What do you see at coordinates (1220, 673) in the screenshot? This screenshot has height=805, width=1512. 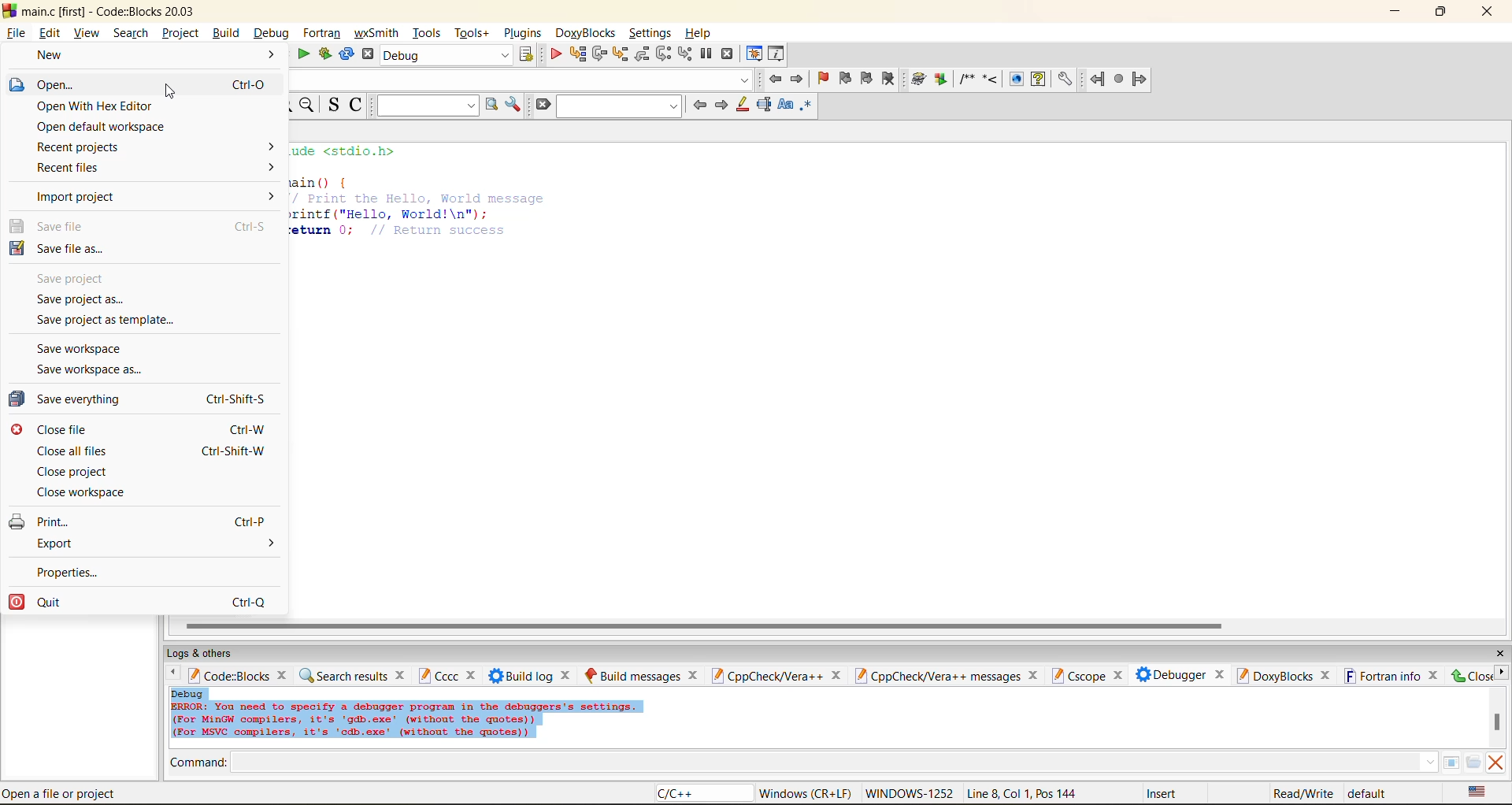 I see `close` at bounding box center [1220, 673].